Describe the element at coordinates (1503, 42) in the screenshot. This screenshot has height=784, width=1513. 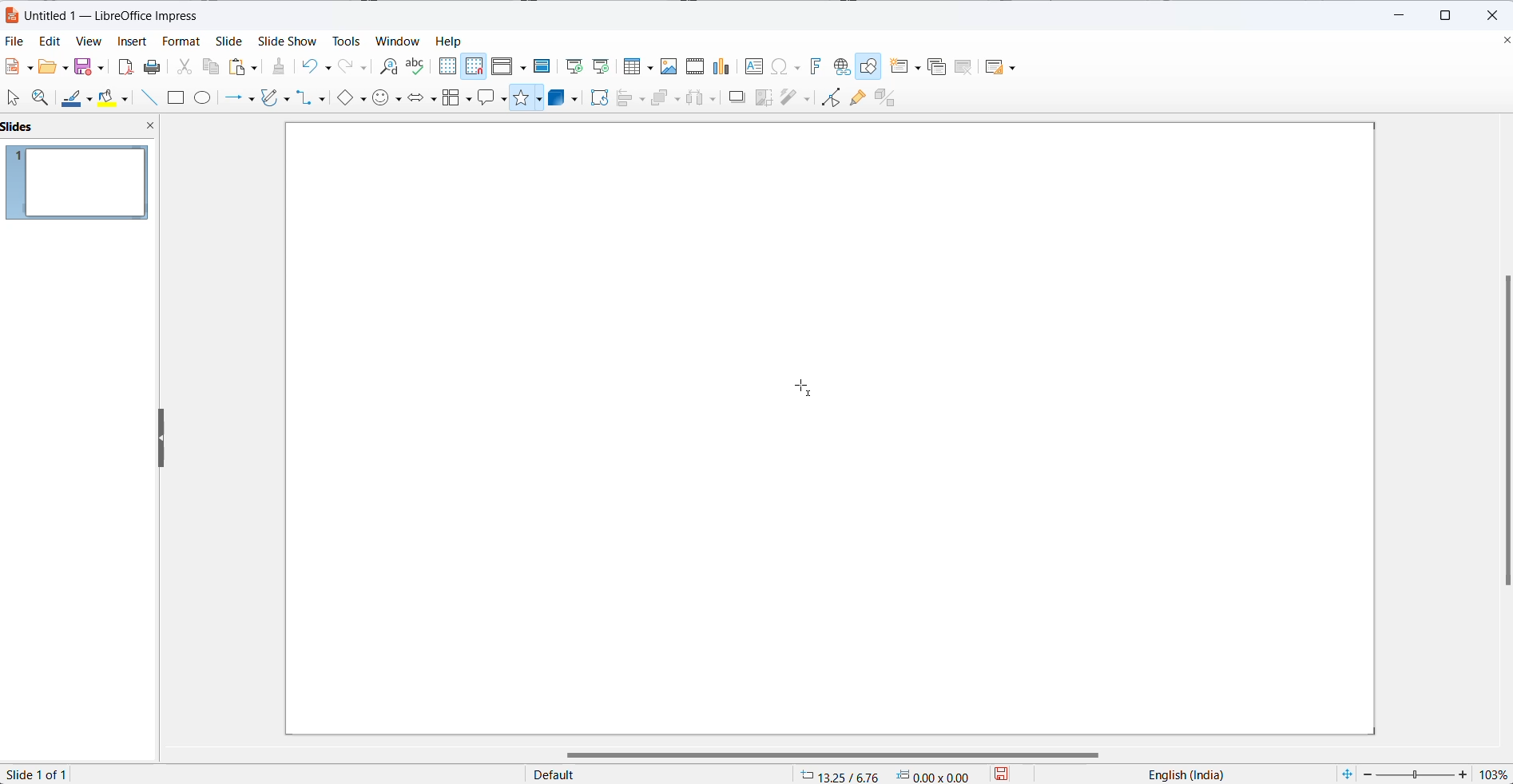
I see `close document` at that location.